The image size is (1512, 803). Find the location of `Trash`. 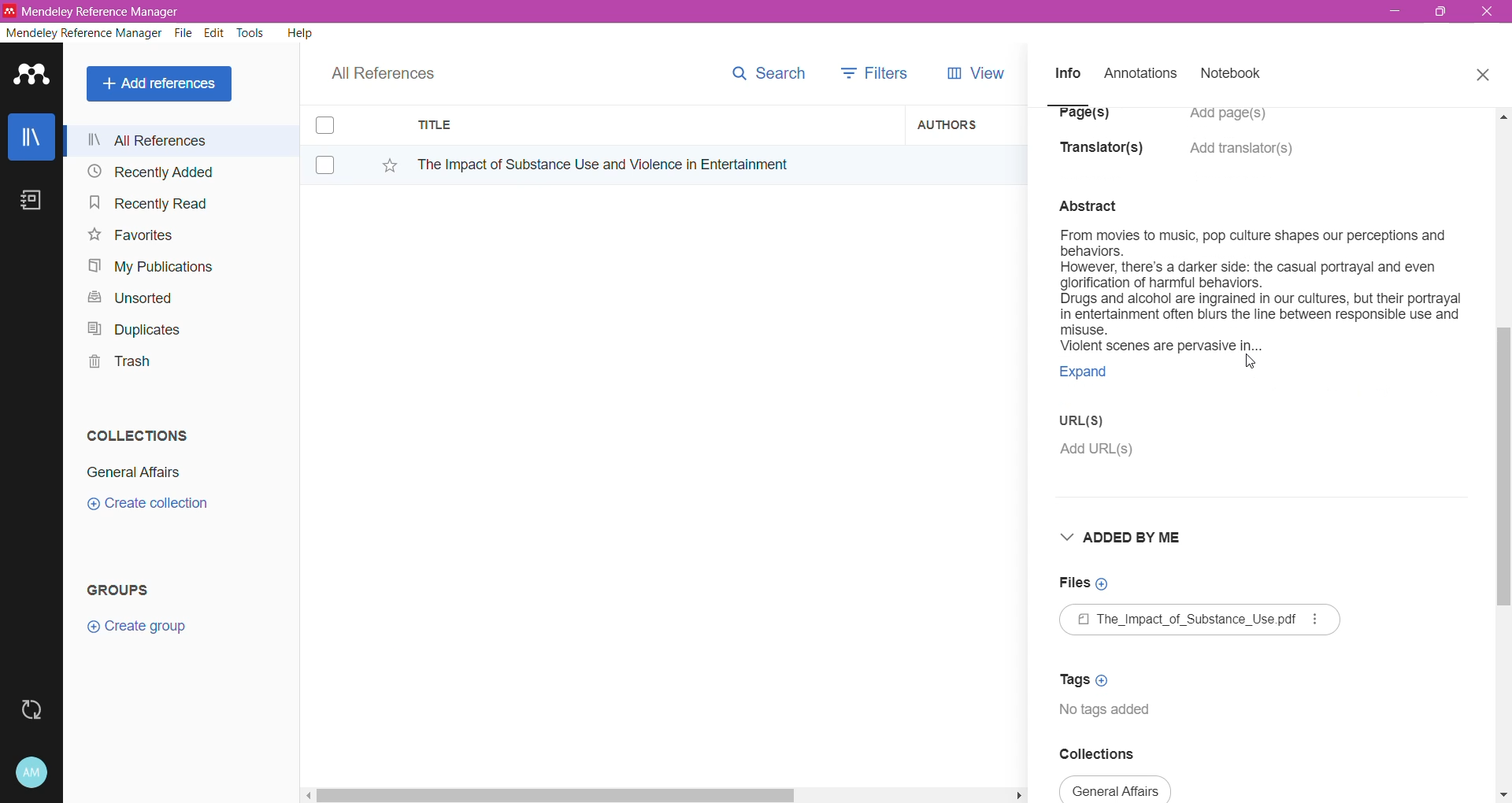

Trash is located at coordinates (115, 364).